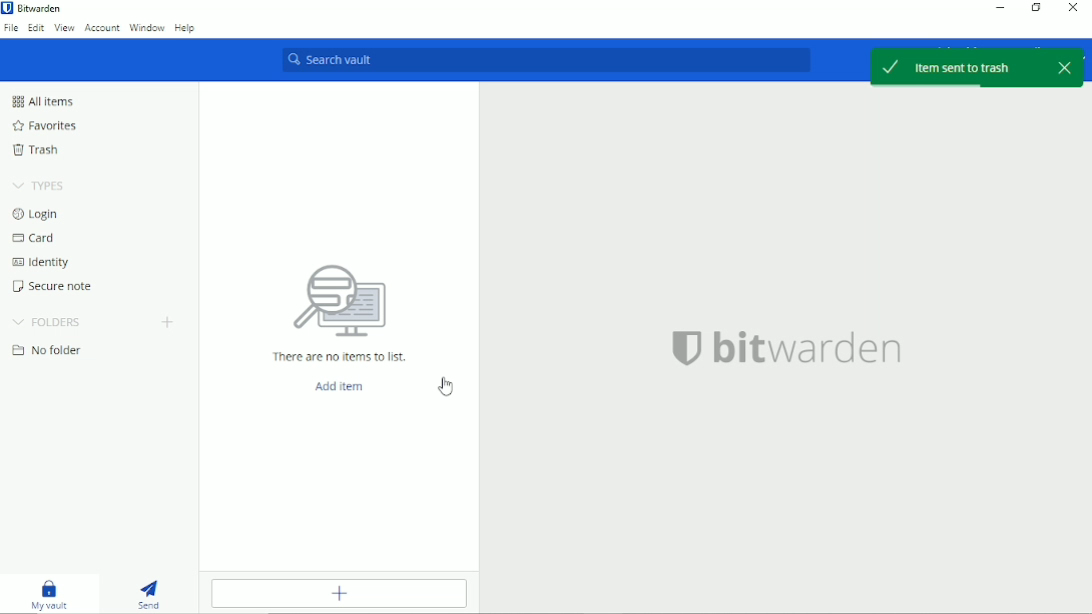 The image size is (1092, 614). What do you see at coordinates (64, 28) in the screenshot?
I see `View` at bounding box center [64, 28].